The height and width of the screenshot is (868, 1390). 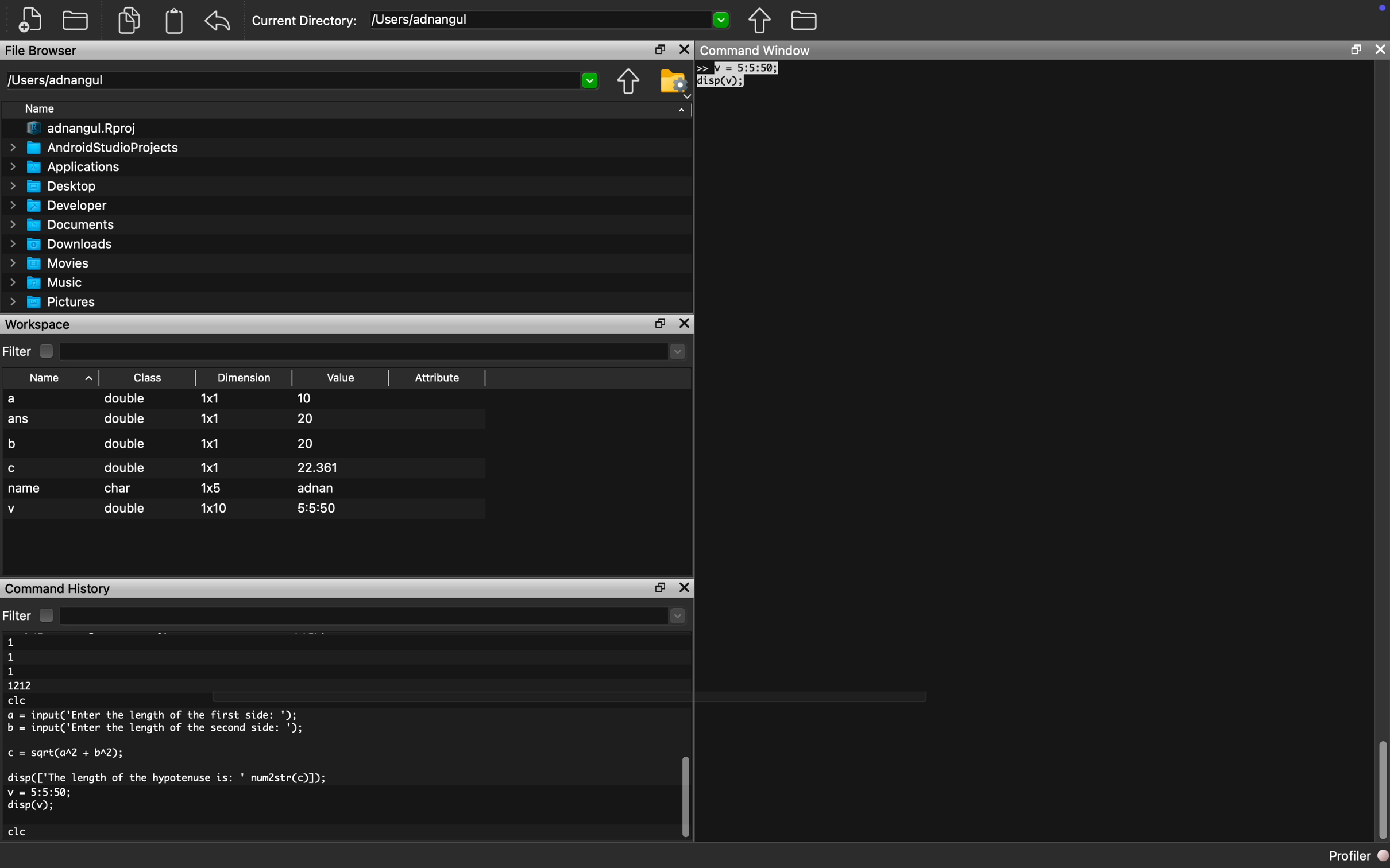 I want to click on Dropdown, so click(x=589, y=81).